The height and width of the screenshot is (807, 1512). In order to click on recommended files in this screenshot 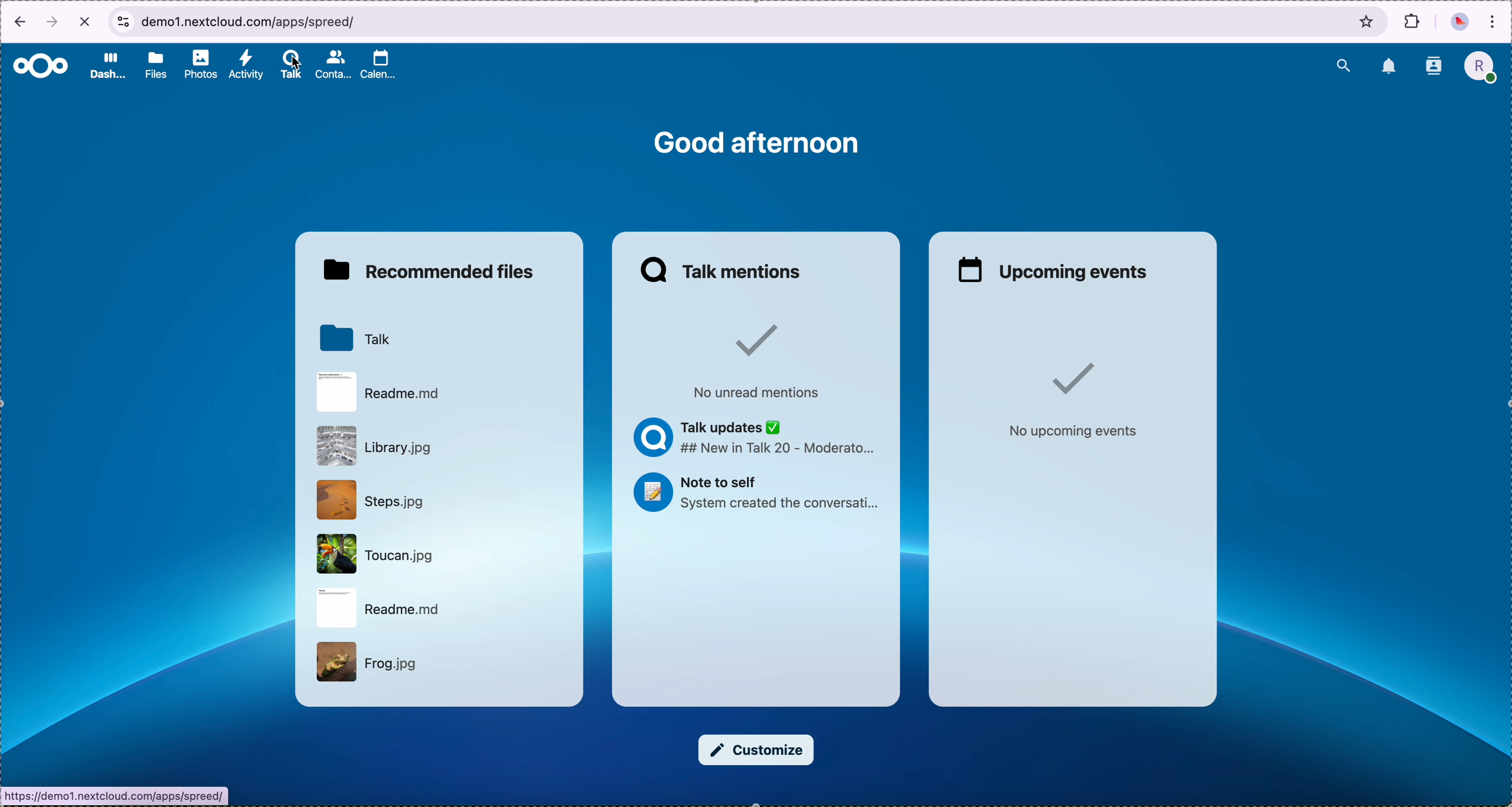, I will do `click(438, 261)`.